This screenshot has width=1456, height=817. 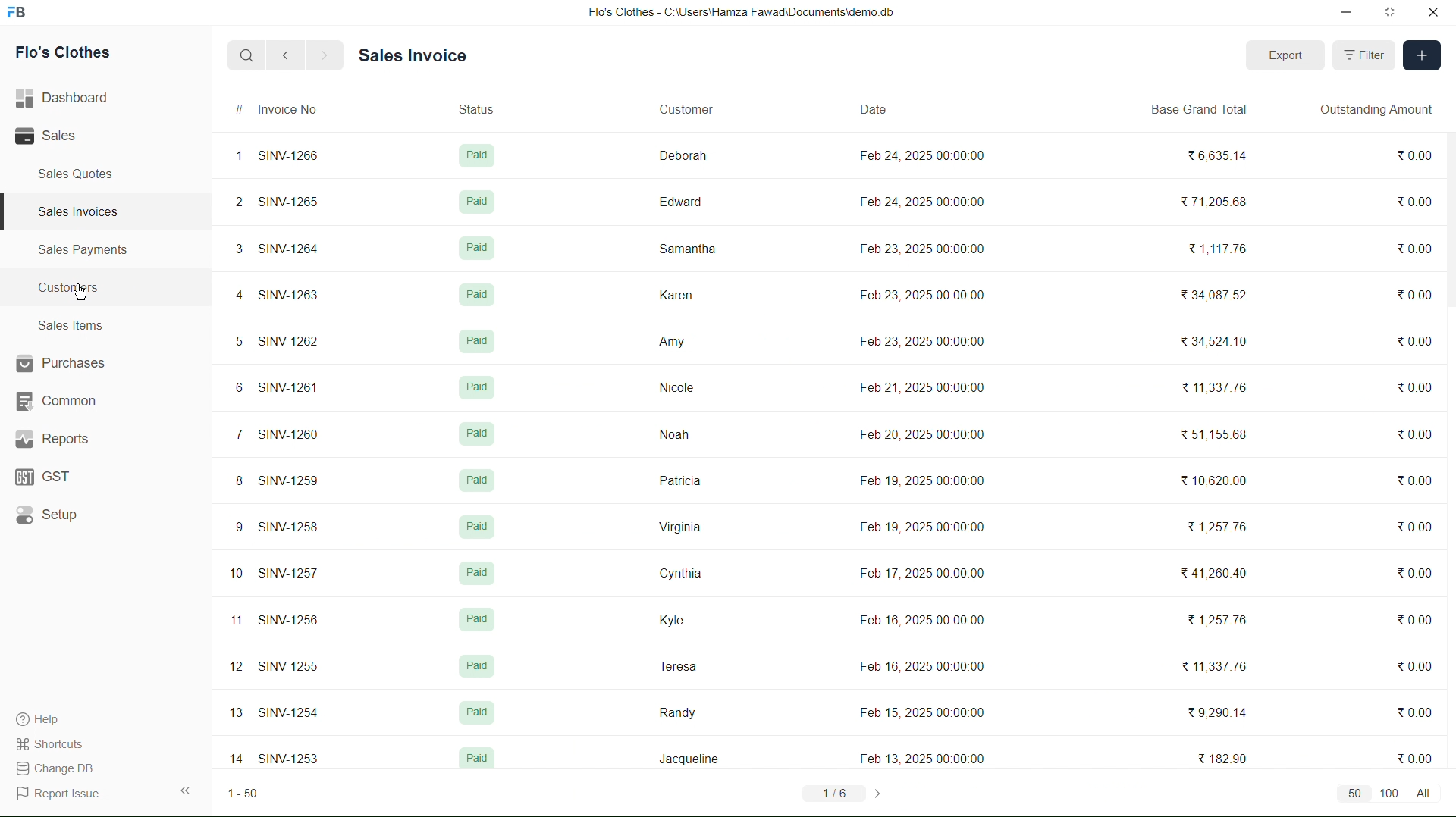 I want to click on Nicole, so click(x=677, y=388).